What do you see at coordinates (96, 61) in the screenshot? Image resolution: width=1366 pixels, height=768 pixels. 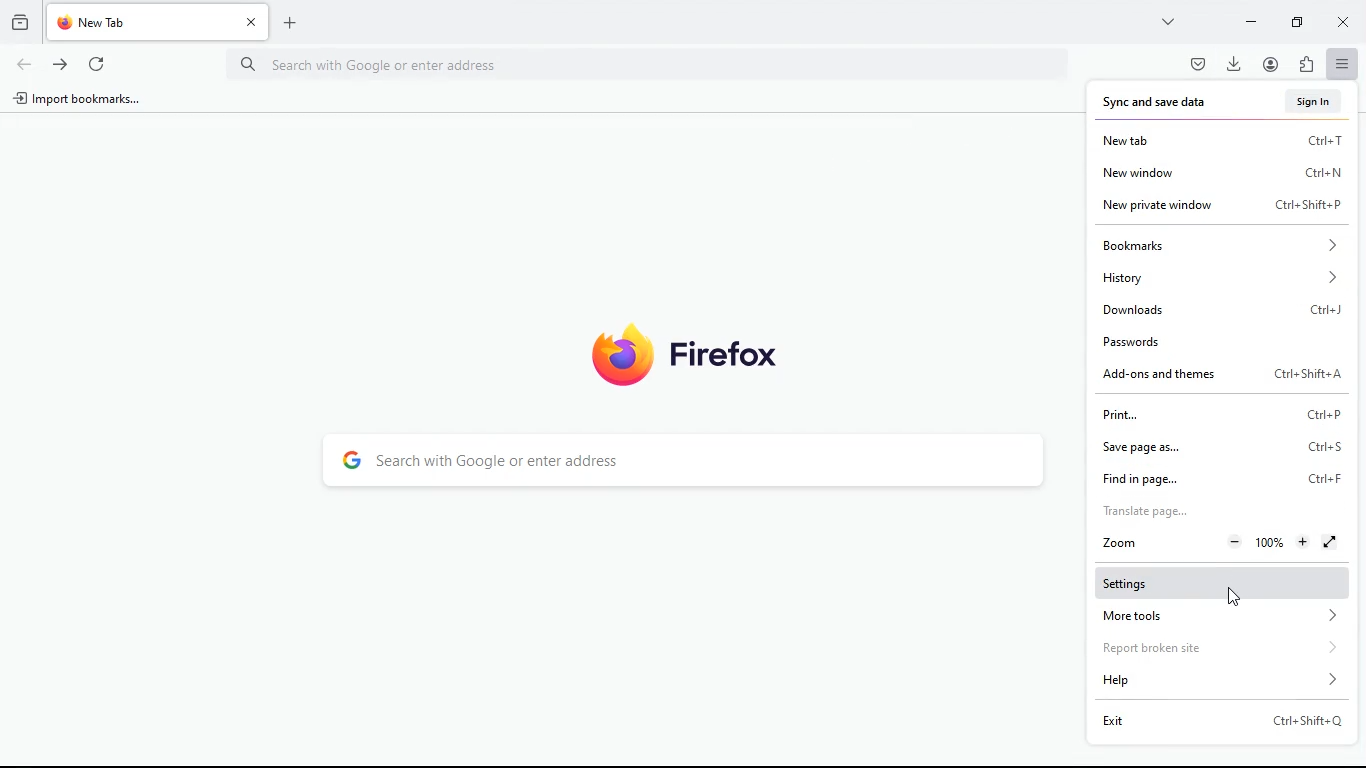 I see `refresh` at bounding box center [96, 61].